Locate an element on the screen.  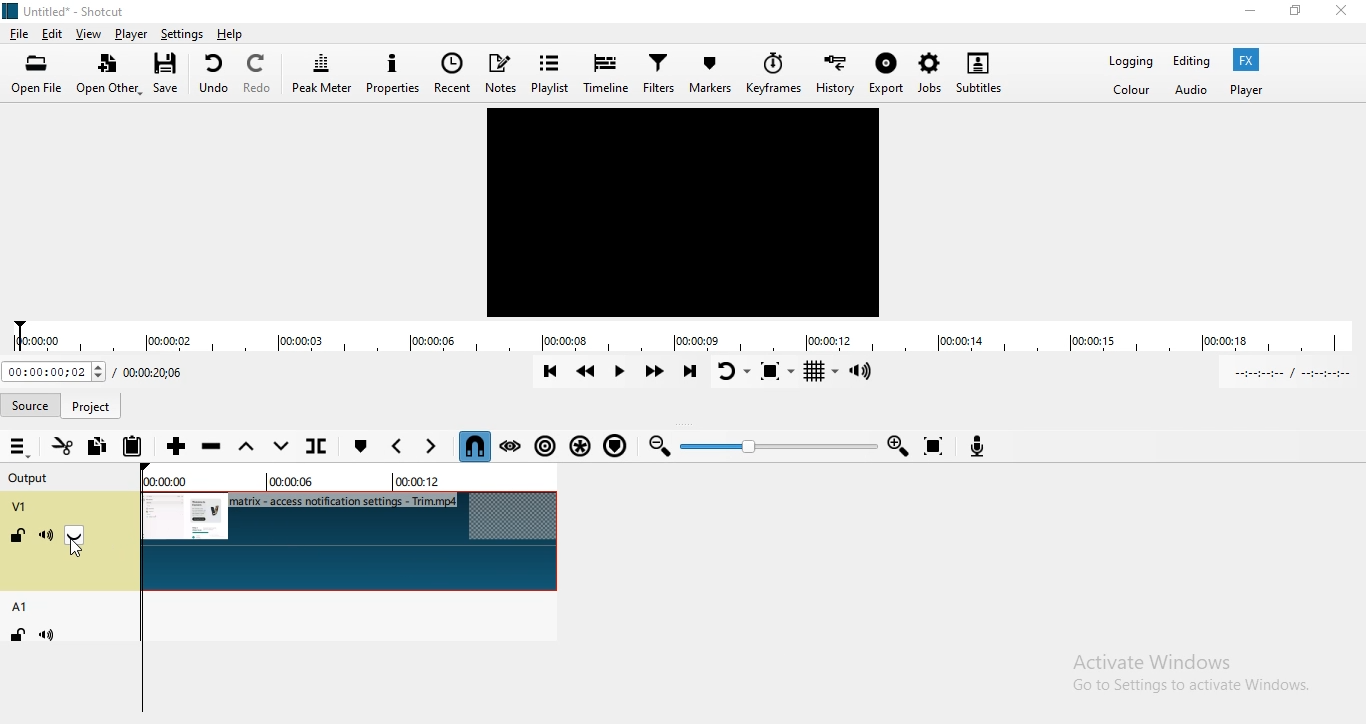
Open file  is located at coordinates (38, 75).